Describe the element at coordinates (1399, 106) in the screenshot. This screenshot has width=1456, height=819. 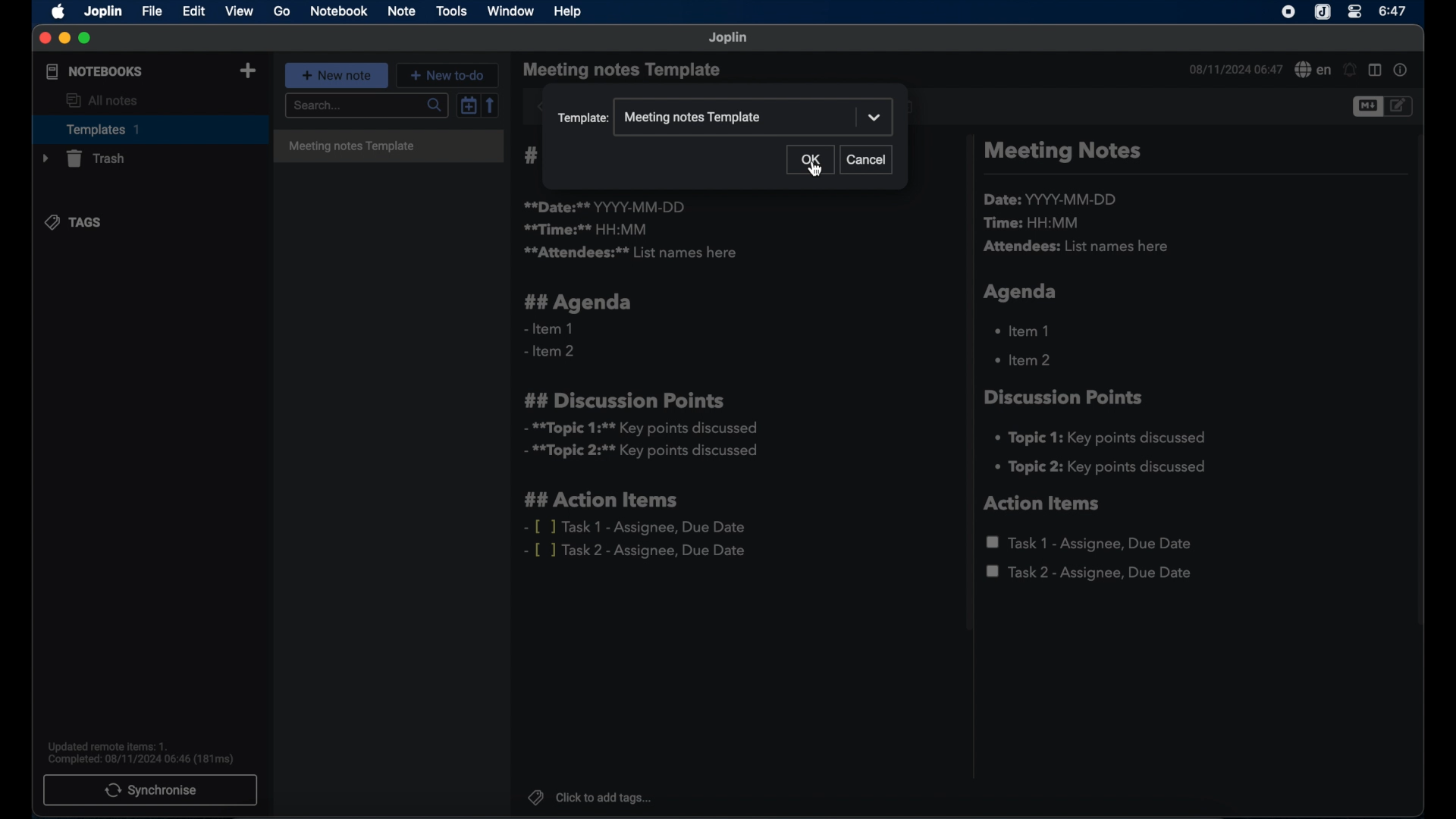
I see `toggle editor` at that location.